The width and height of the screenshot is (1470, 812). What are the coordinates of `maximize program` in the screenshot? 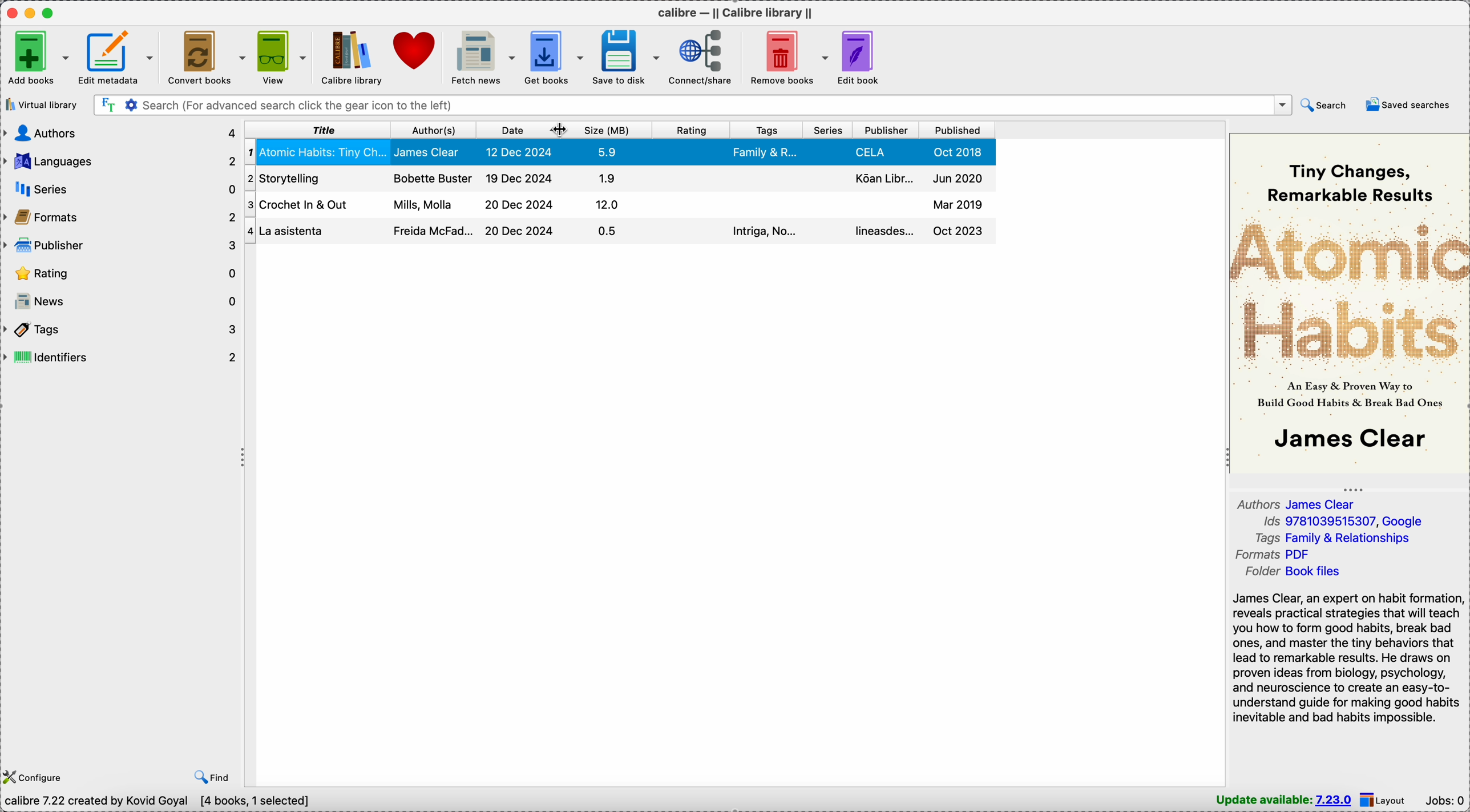 It's located at (50, 13).